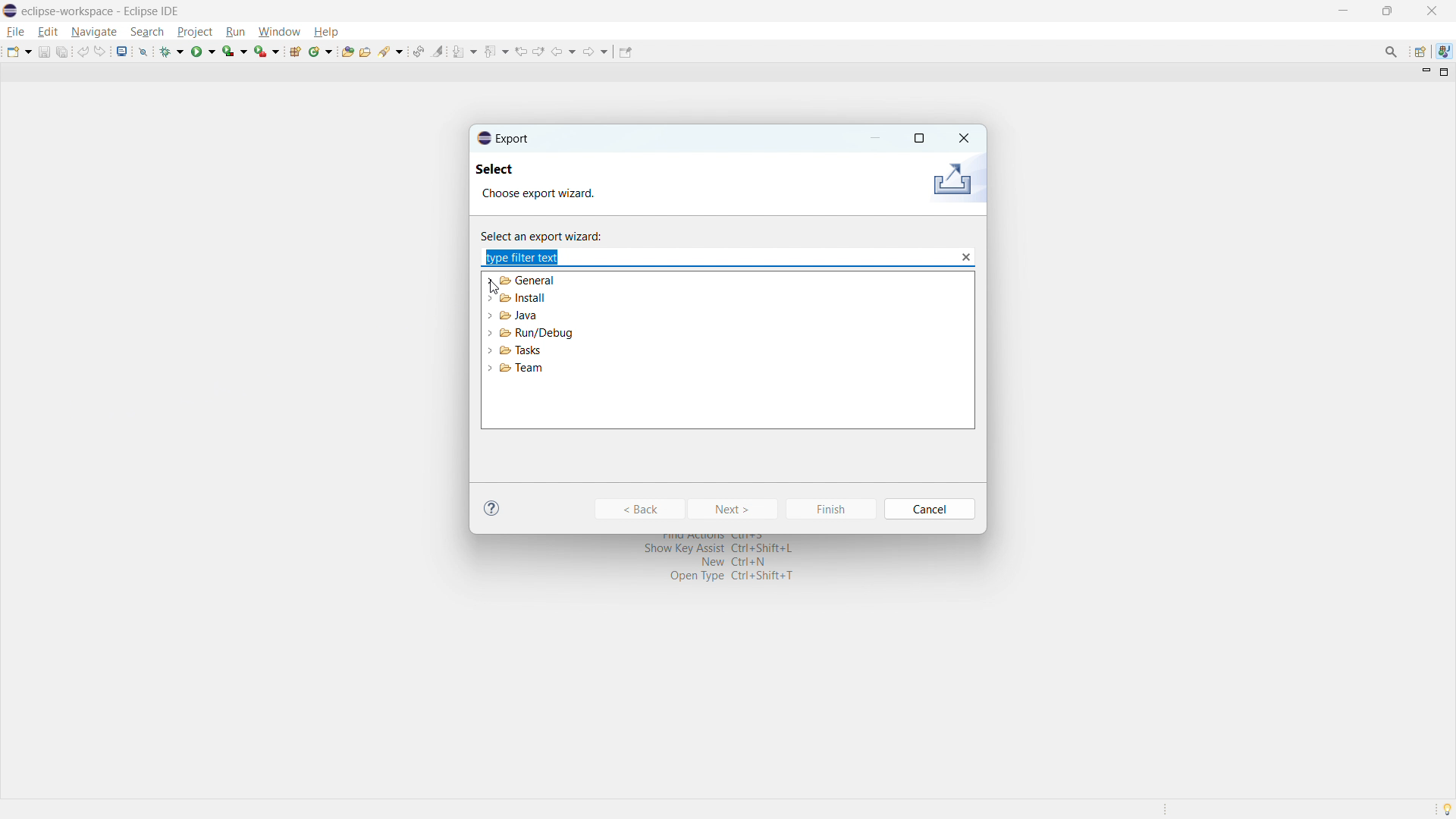 The width and height of the screenshot is (1456, 819). Describe the element at coordinates (1424, 73) in the screenshot. I see `minimize view` at that location.